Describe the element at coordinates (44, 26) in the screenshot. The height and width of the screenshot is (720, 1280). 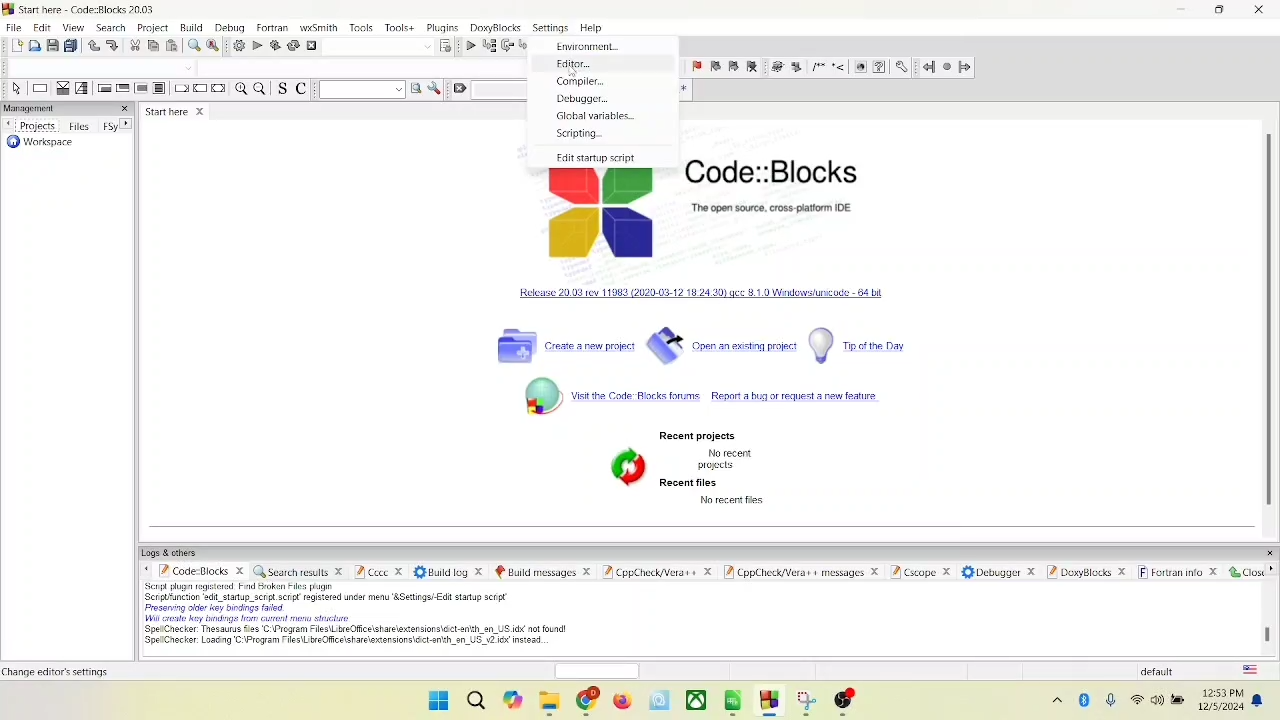
I see `edit` at that location.